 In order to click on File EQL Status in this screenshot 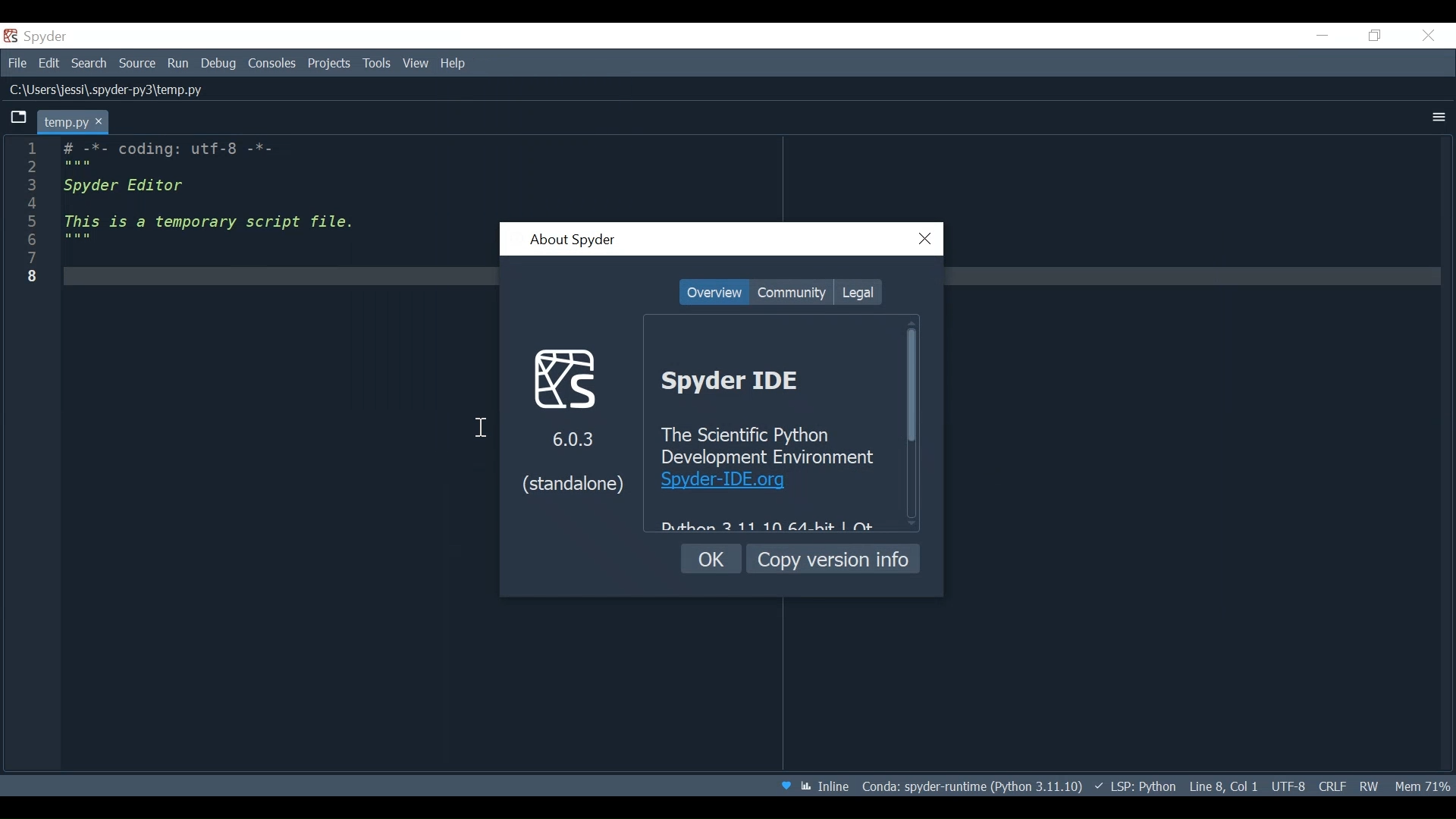, I will do `click(1332, 786)`.